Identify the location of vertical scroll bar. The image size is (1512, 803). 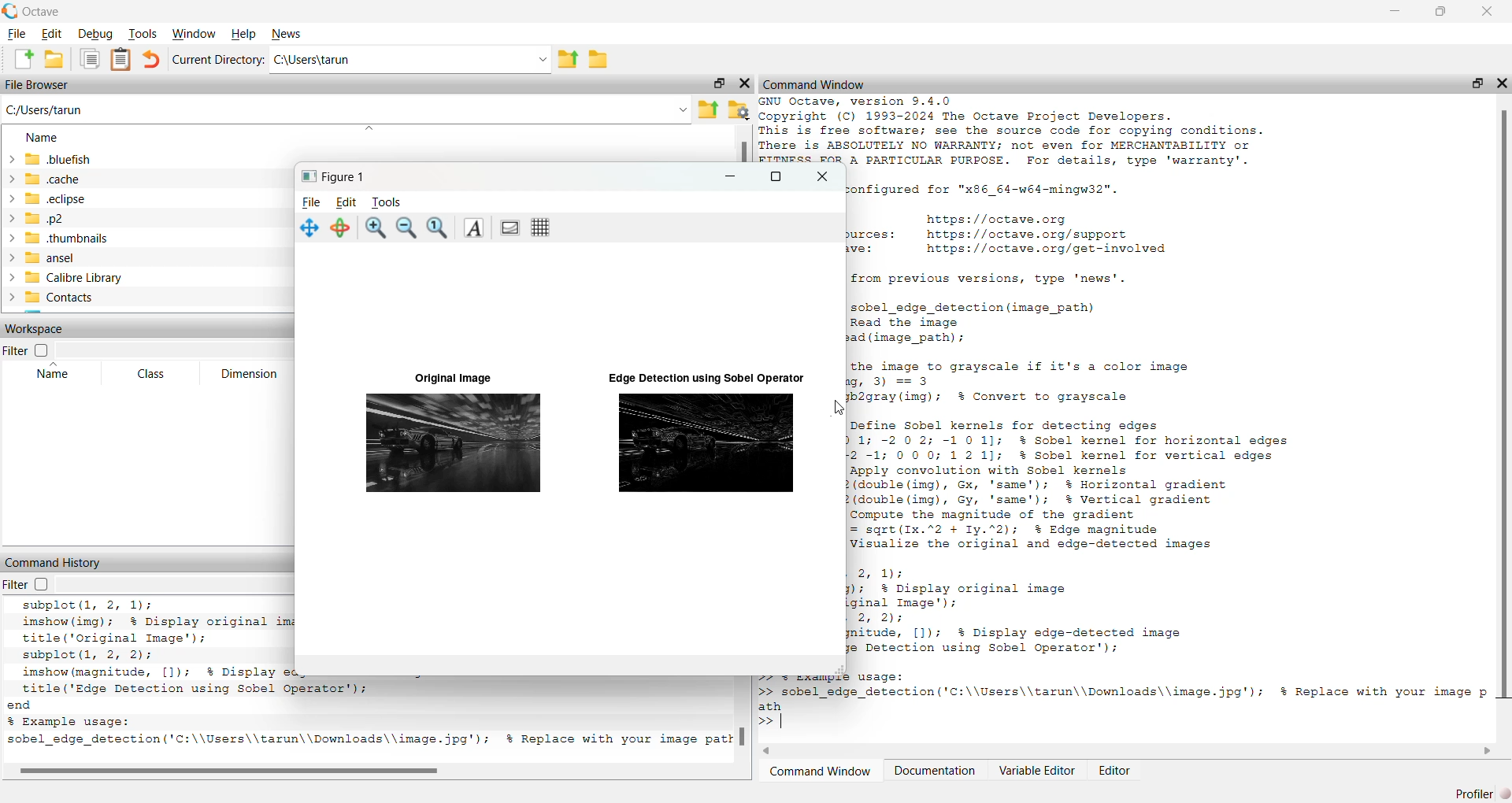
(742, 150).